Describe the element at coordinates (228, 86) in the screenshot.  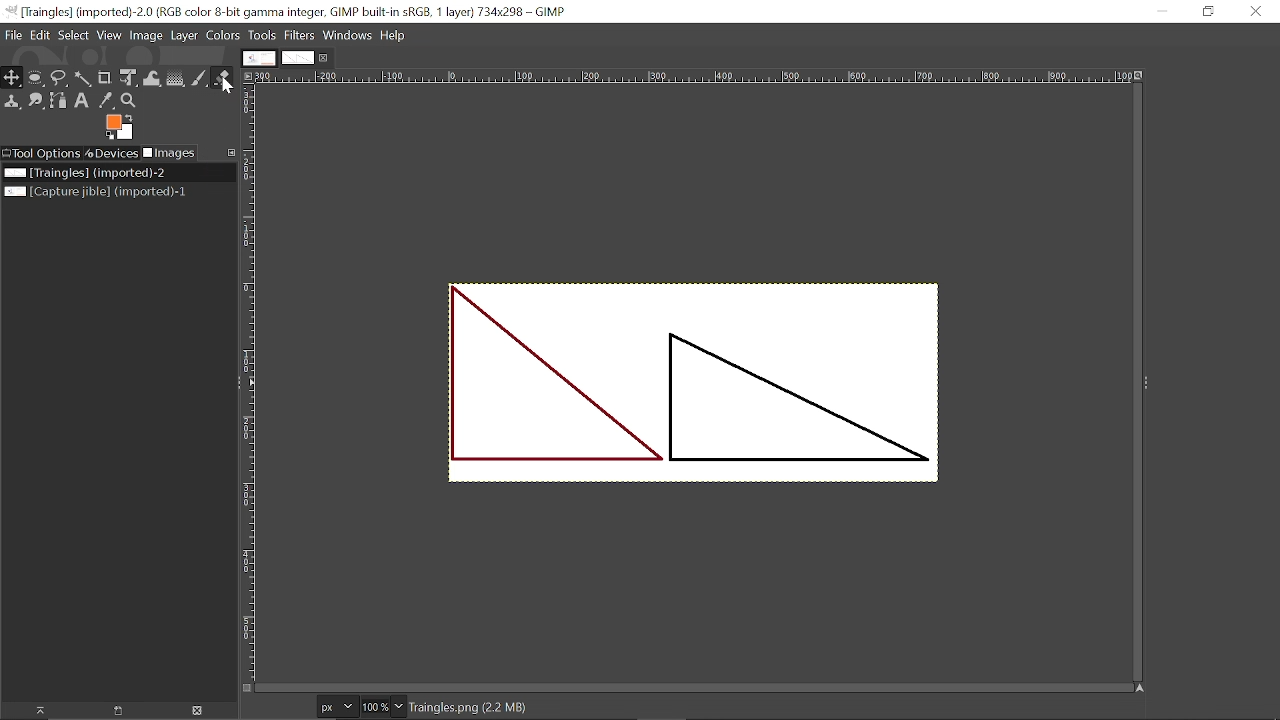
I see `cursor` at that location.